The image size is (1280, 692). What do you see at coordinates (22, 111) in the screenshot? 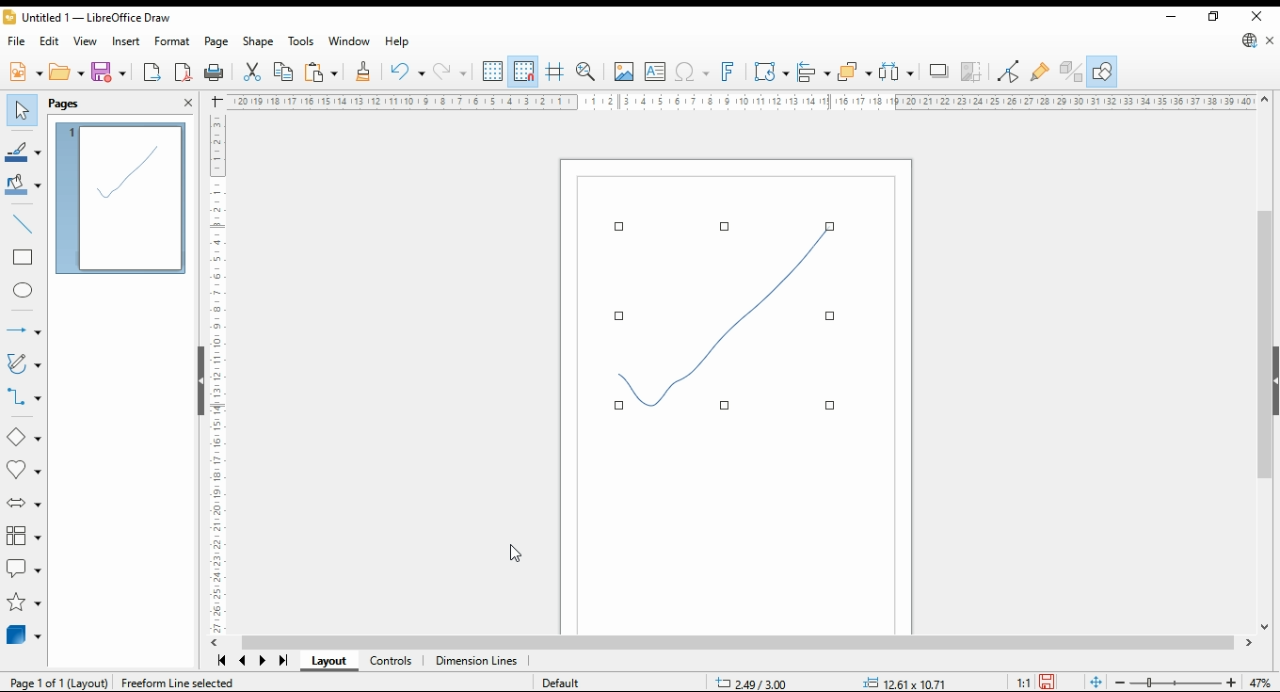
I see `select` at bounding box center [22, 111].